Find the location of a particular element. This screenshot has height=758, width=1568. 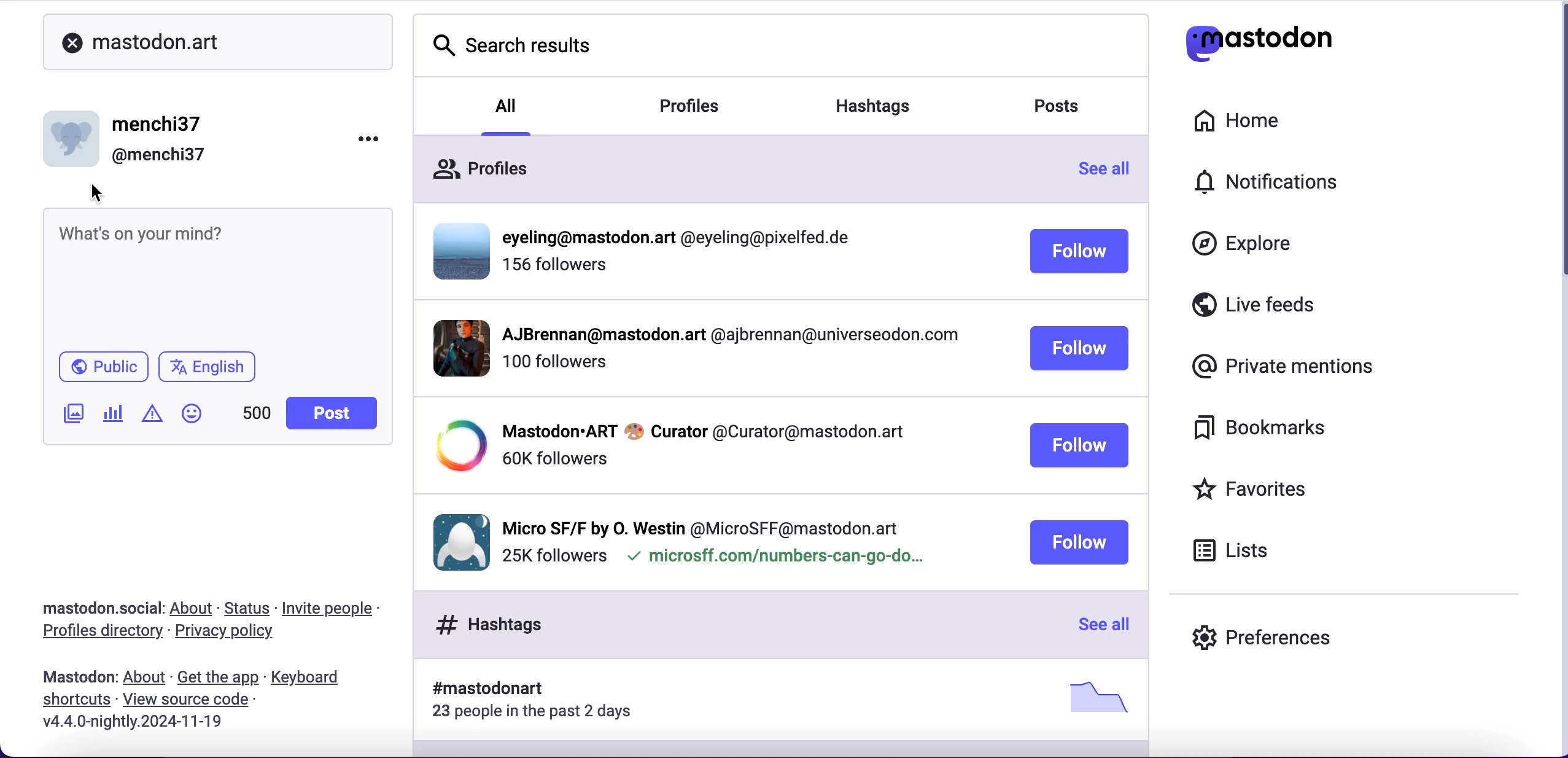

english is located at coordinates (211, 368).